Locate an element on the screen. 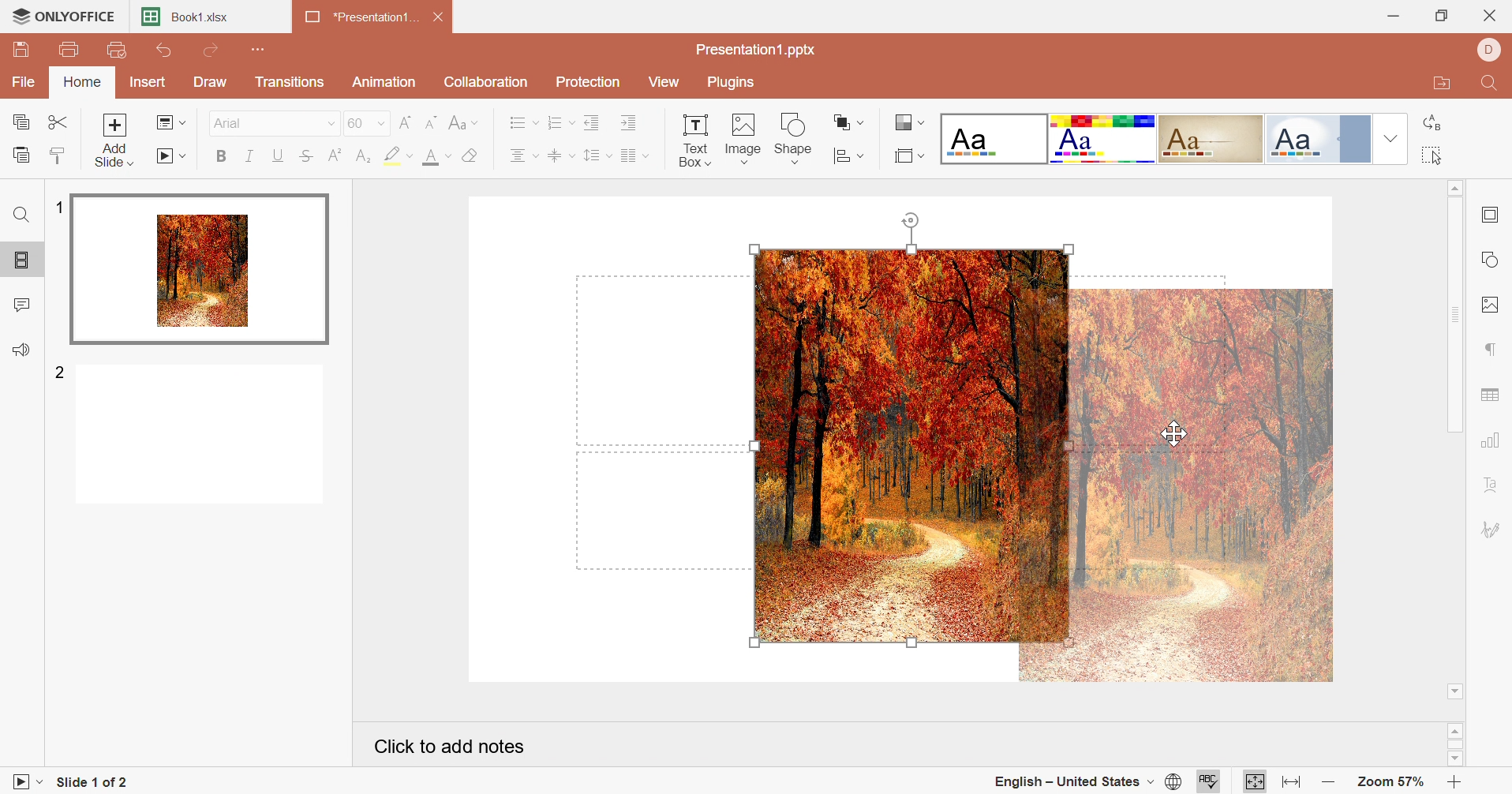  Restore Down is located at coordinates (1439, 17).